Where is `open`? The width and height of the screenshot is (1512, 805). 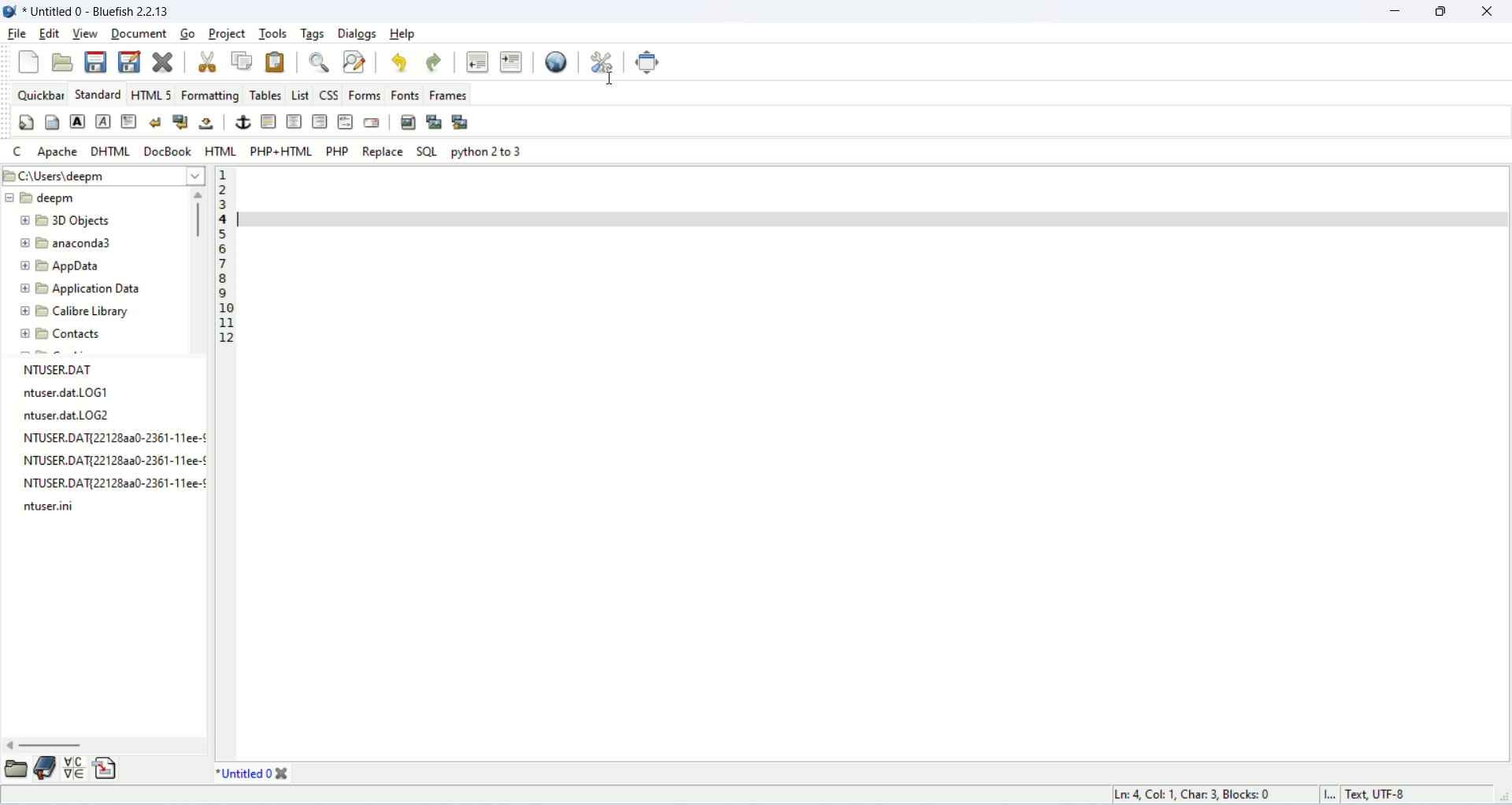
open is located at coordinates (62, 62).